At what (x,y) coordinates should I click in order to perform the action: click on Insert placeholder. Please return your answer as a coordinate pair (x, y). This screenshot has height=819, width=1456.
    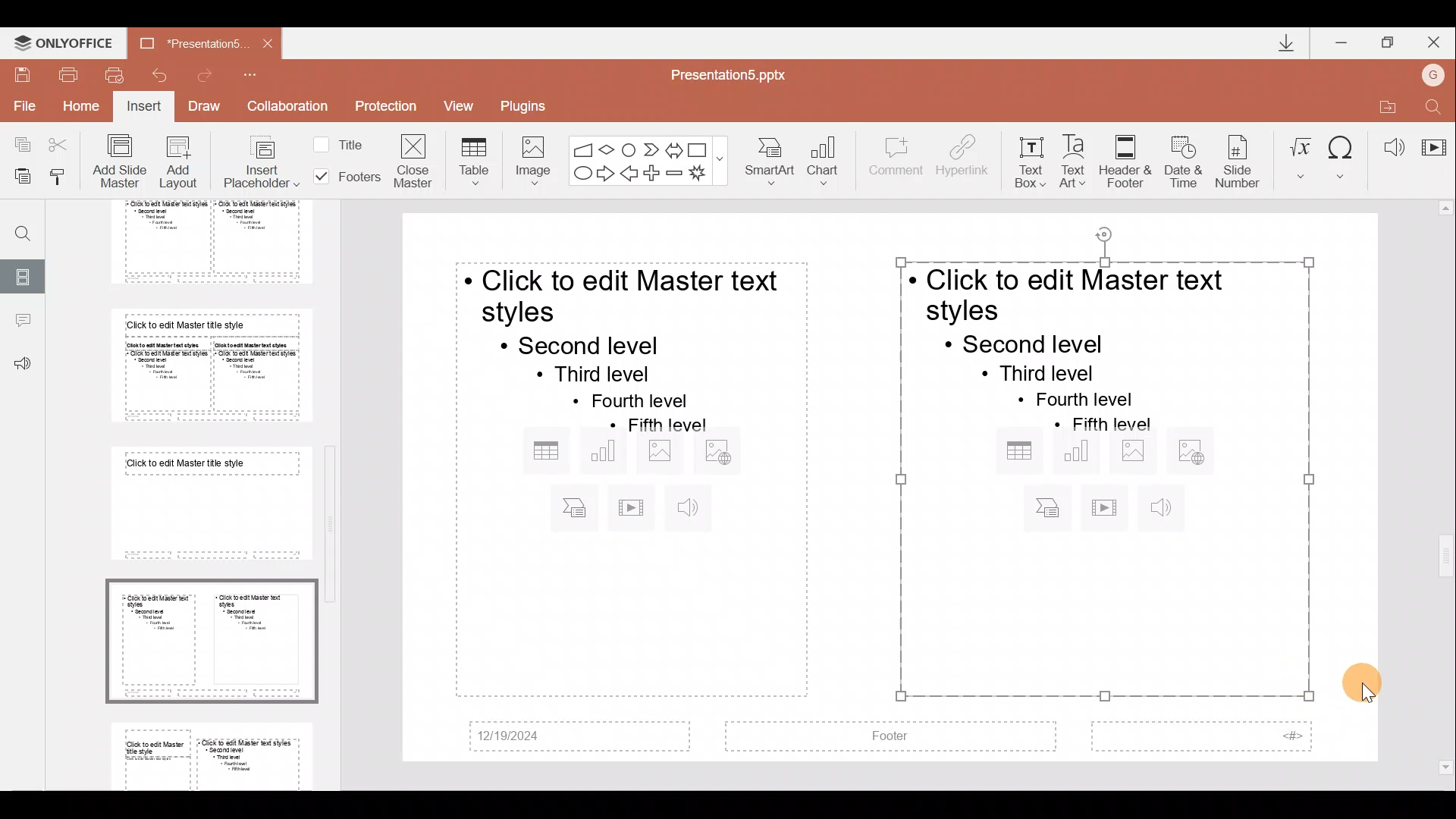
    Looking at the image, I should click on (260, 163).